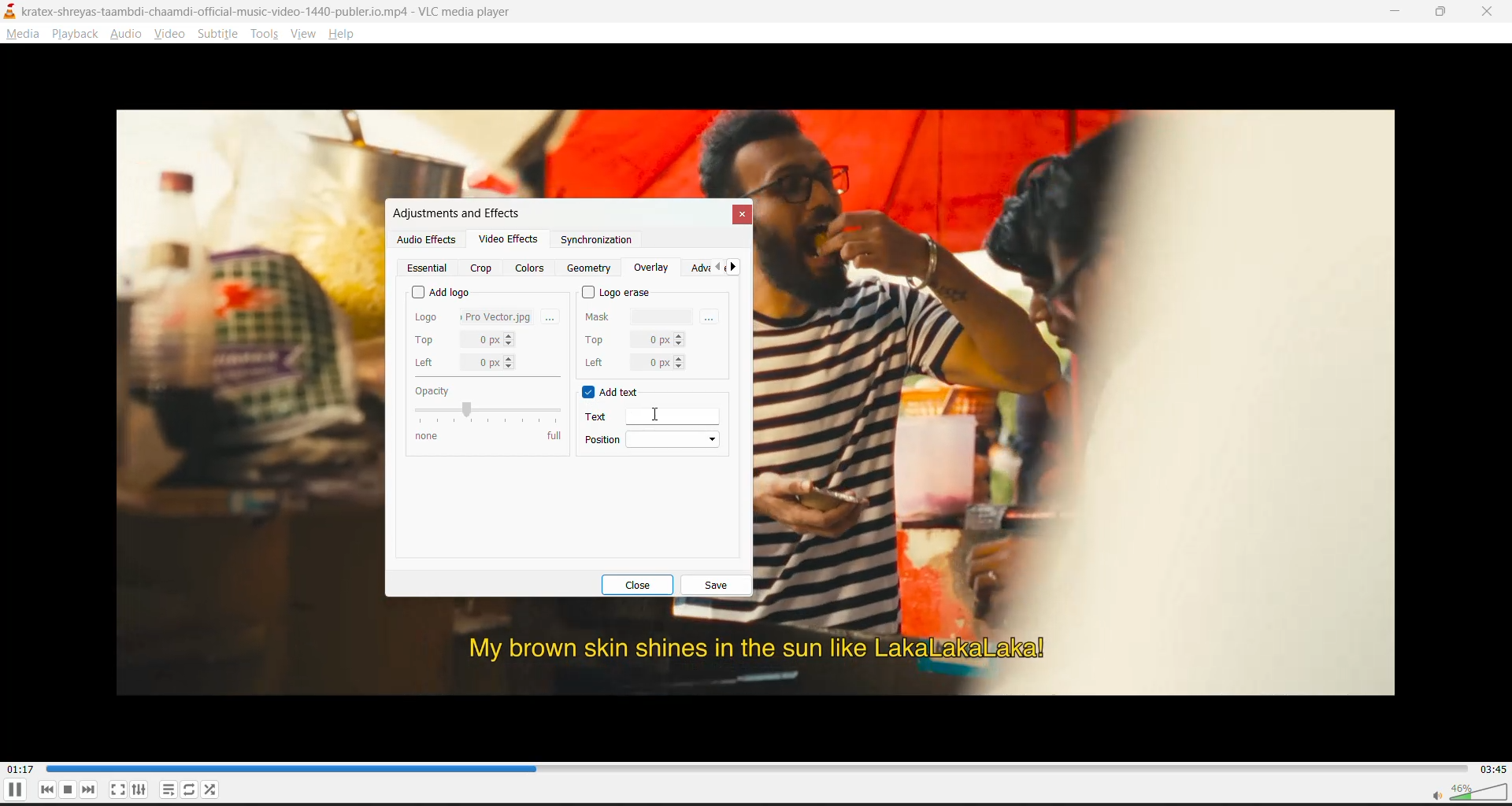 The image size is (1512, 806). Describe the element at coordinates (717, 268) in the screenshot. I see `previous` at that location.